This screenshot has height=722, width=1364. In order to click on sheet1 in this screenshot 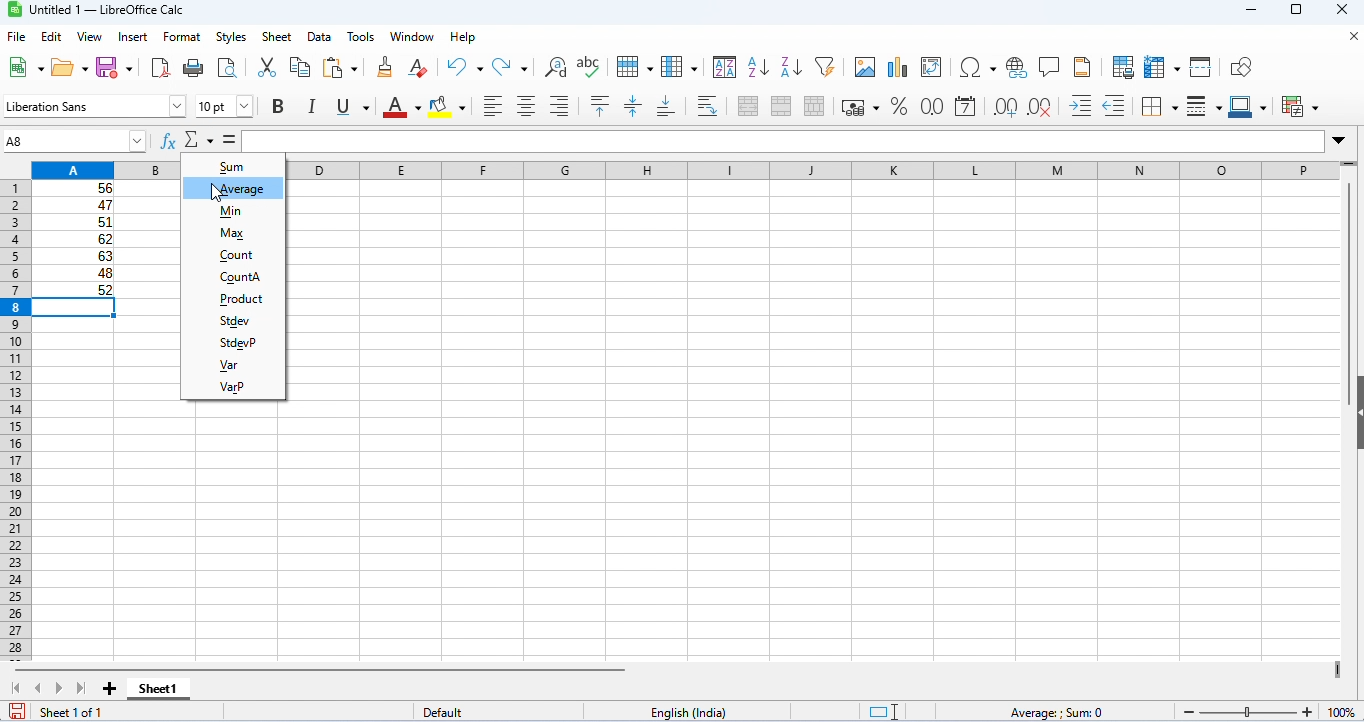, I will do `click(157, 689)`.